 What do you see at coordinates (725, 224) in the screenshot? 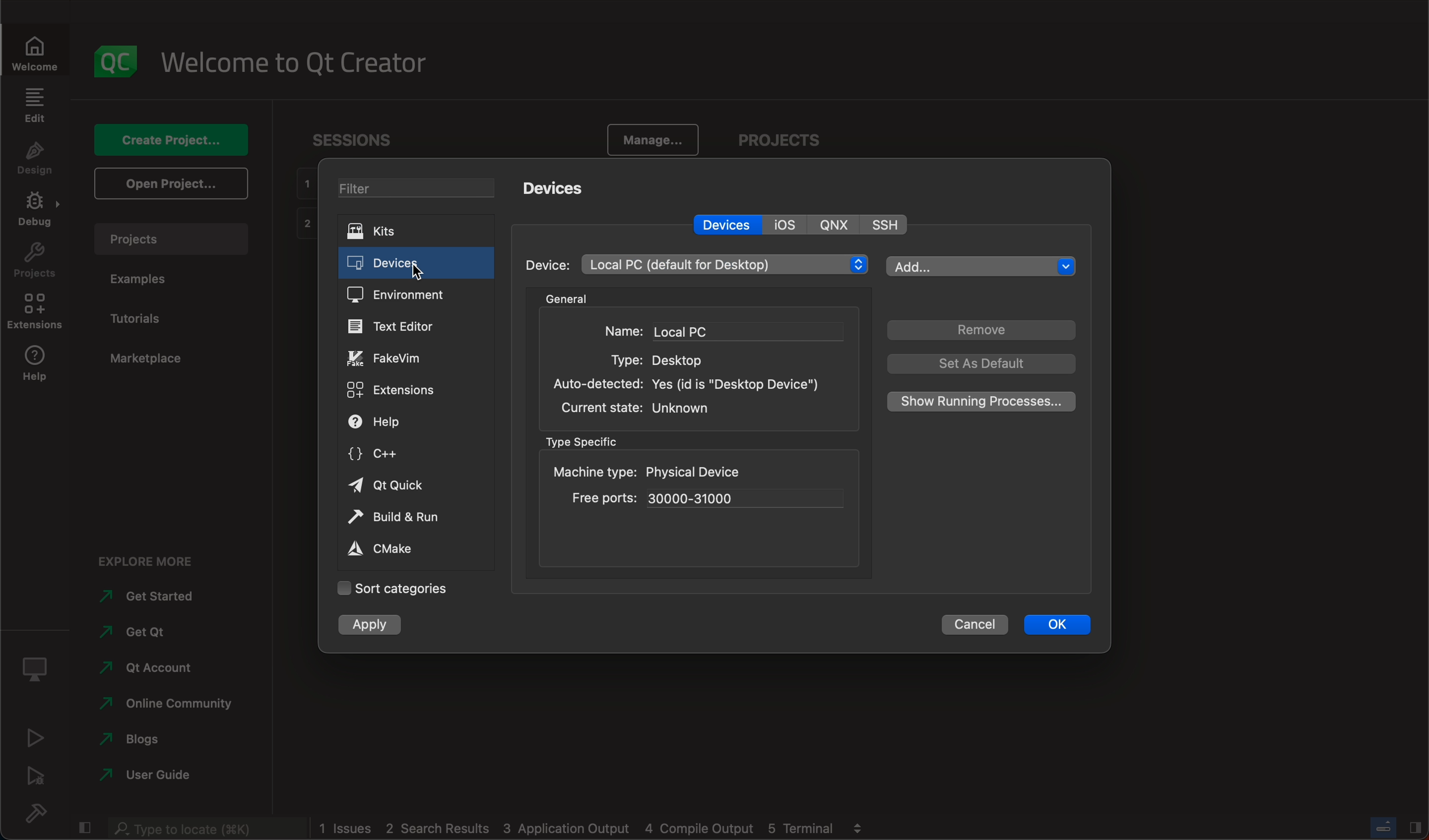
I see `devices` at bounding box center [725, 224].